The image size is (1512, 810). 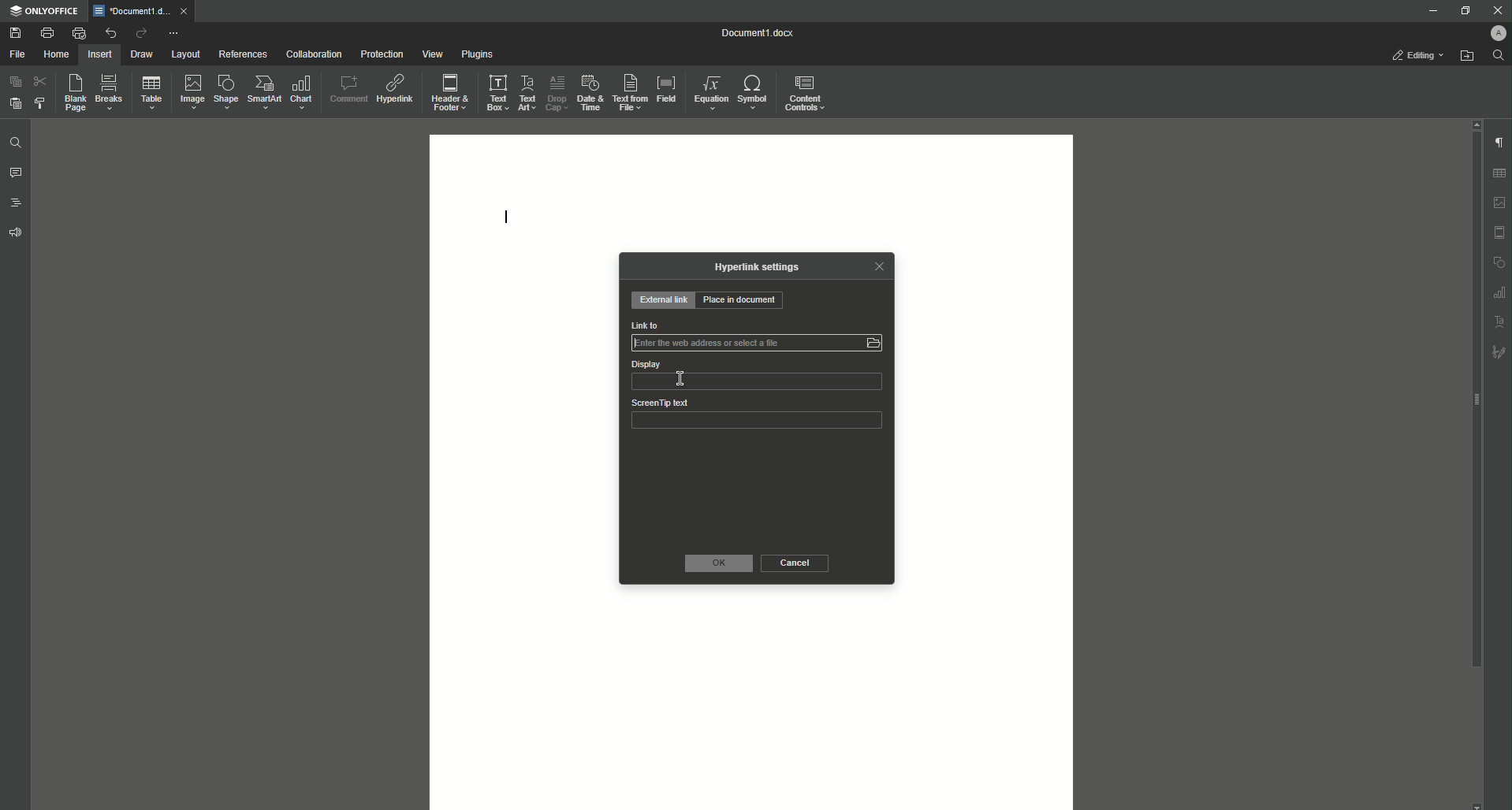 I want to click on scroll bar, so click(x=1475, y=399).